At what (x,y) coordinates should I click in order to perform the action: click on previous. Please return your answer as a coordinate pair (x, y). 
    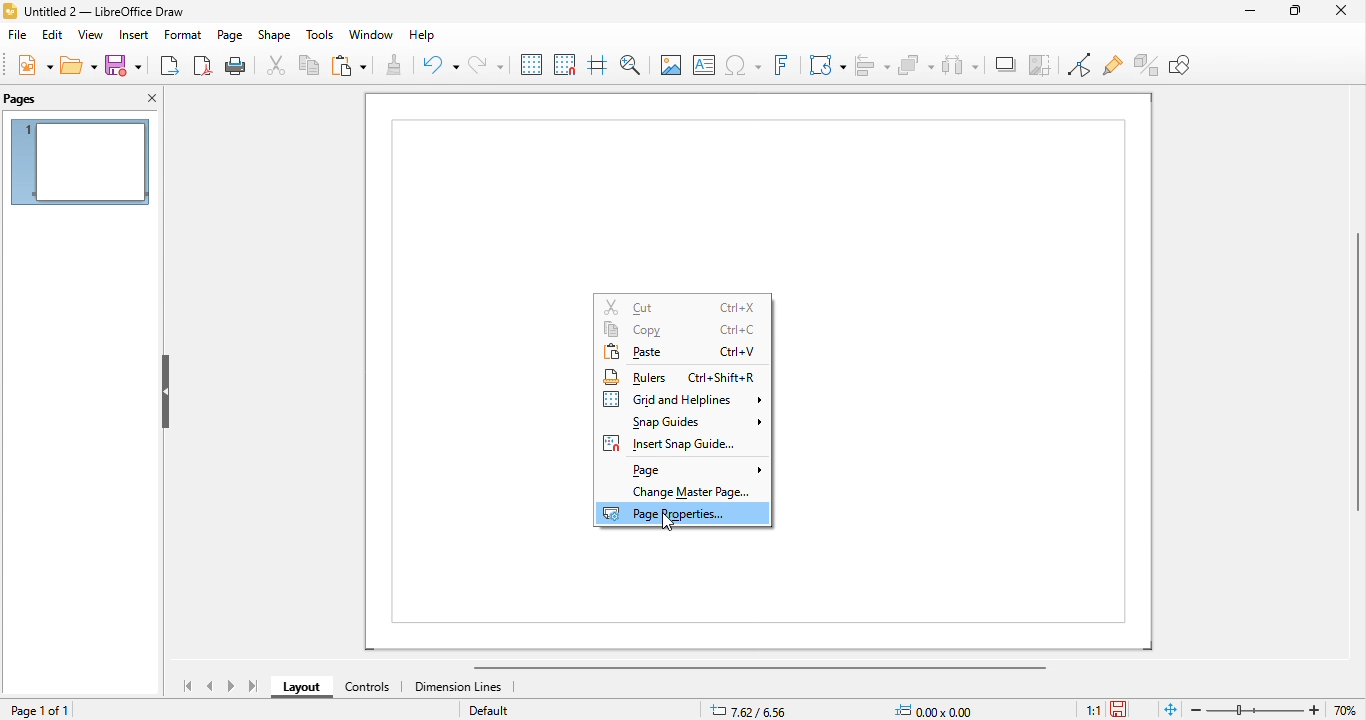
    Looking at the image, I should click on (212, 687).